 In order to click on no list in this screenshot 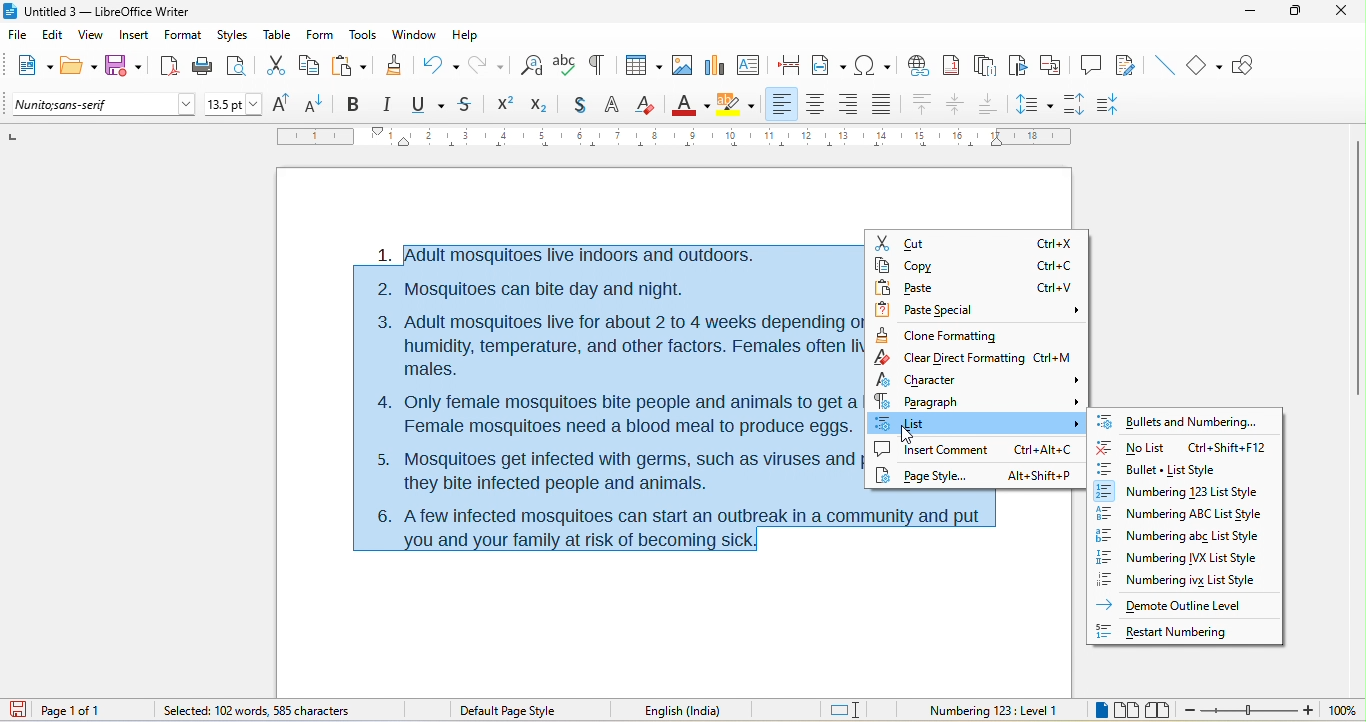, I will do `click(1181, 444)`.